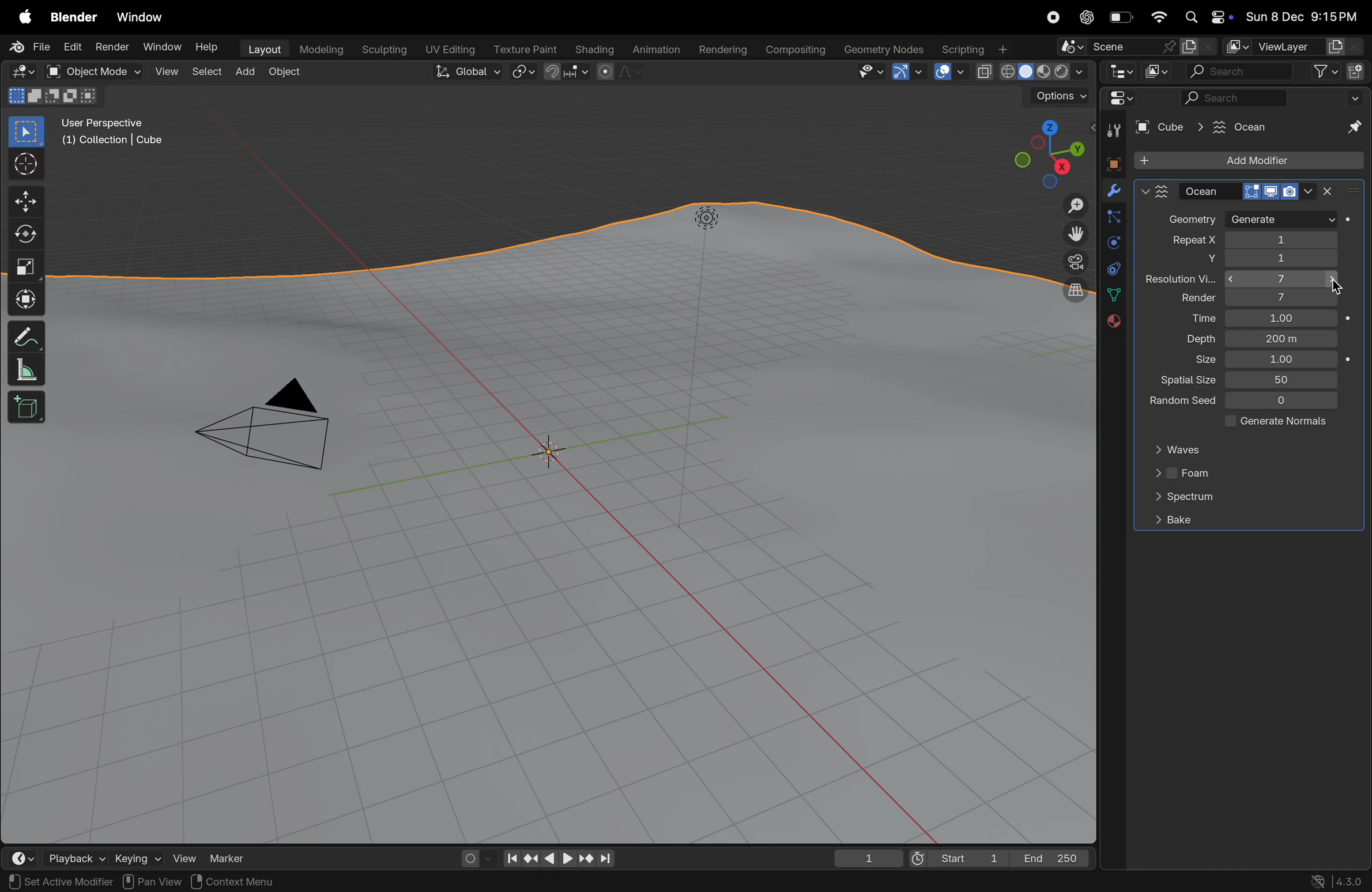 The image size is (1372, 892). What do you see at coordinates (1198, 47) in the screenshot?
I see `copy` at bounding box center [1198, 47].